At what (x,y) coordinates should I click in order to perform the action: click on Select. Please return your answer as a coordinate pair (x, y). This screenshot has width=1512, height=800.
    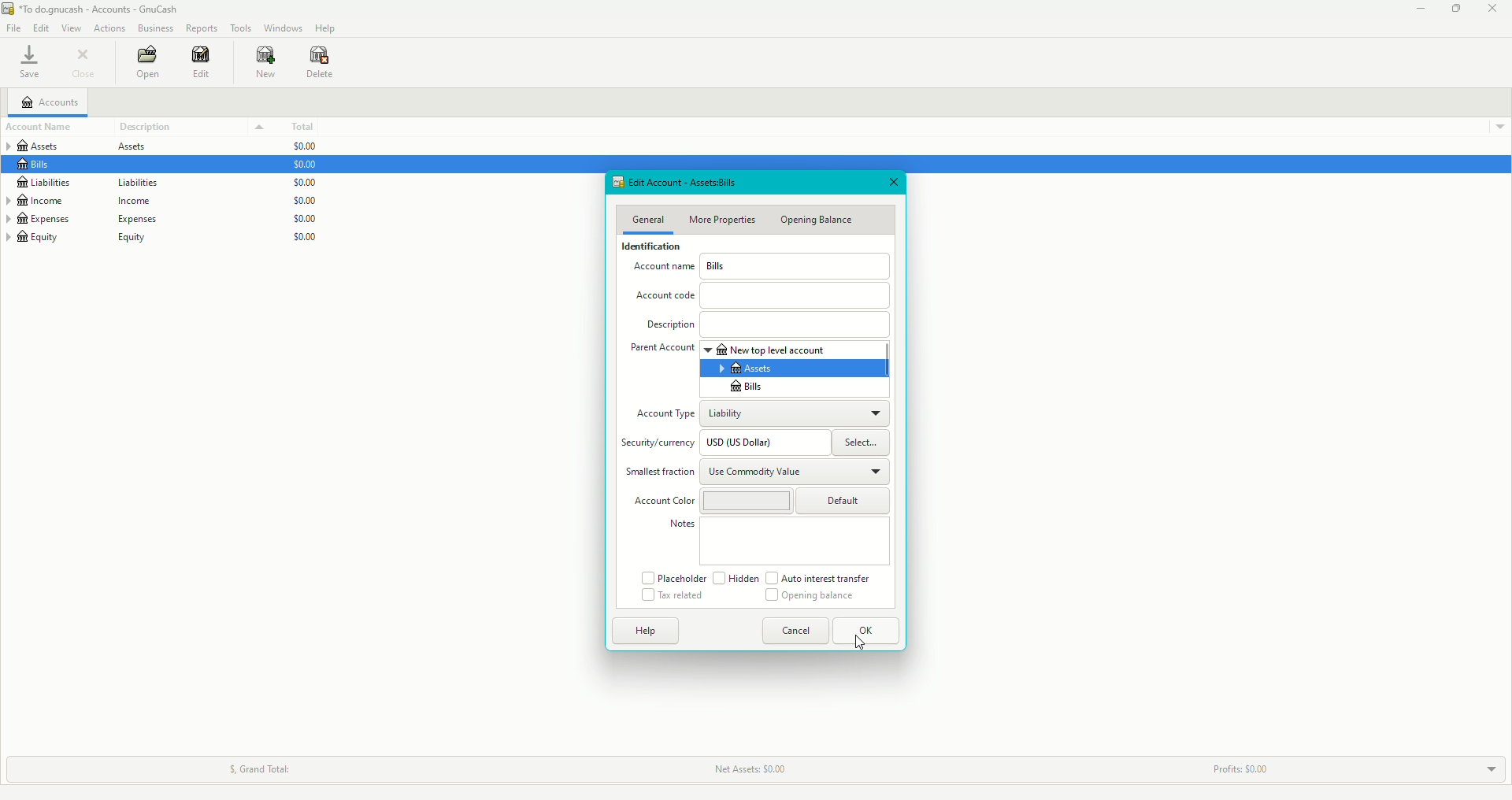
    Looking at the image, I should click on (866, 443).